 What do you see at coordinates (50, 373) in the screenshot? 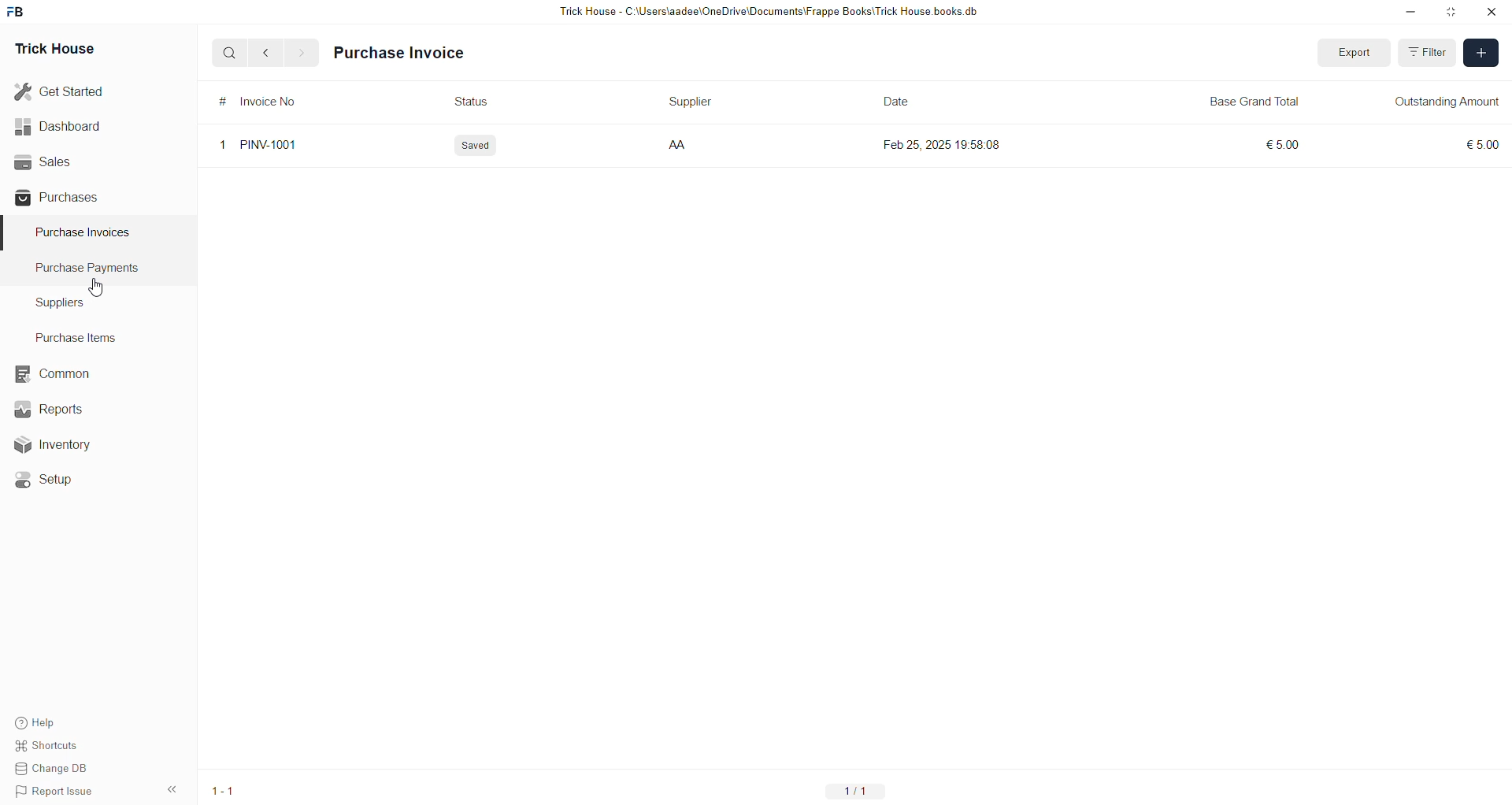
I see `Common` at bounding box center [50, 373].